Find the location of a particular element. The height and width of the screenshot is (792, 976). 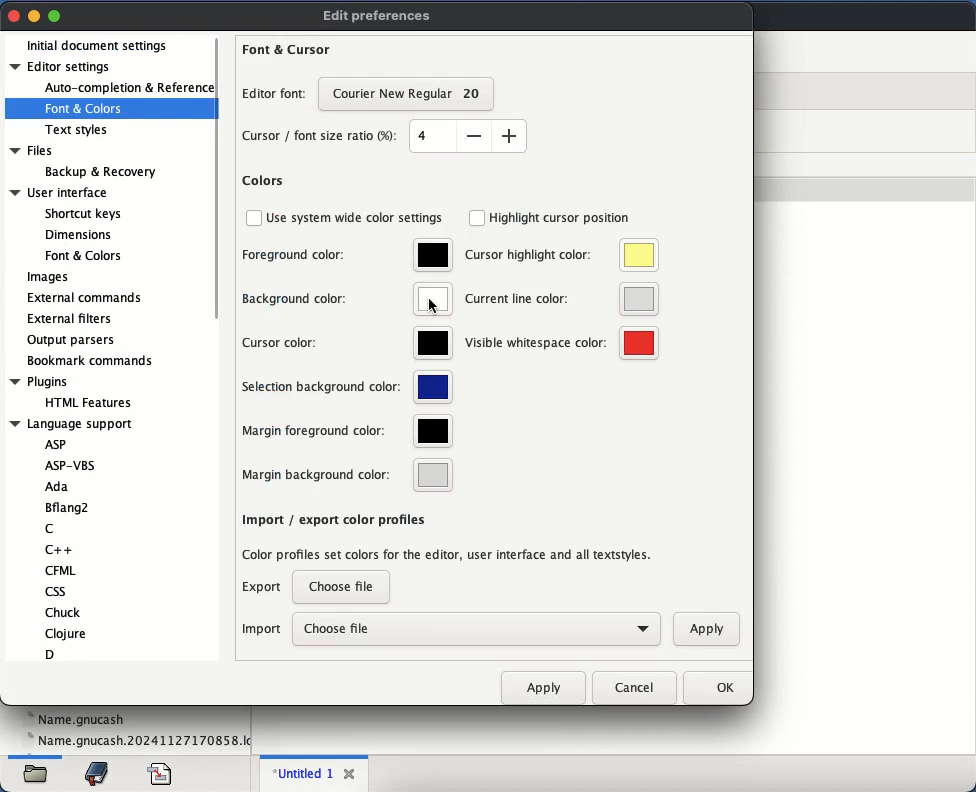

untitled 1 is located at coordinates (301, 773).